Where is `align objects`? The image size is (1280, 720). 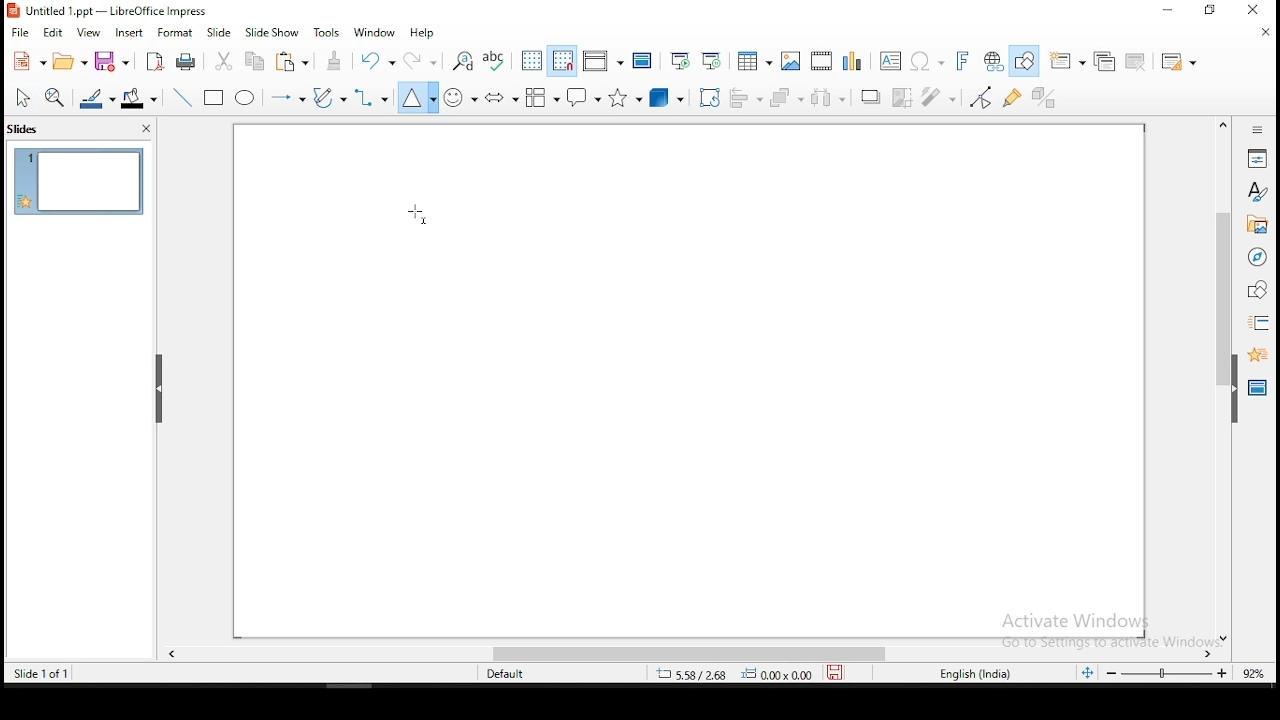 align objects is located at coordinates (745, 99).